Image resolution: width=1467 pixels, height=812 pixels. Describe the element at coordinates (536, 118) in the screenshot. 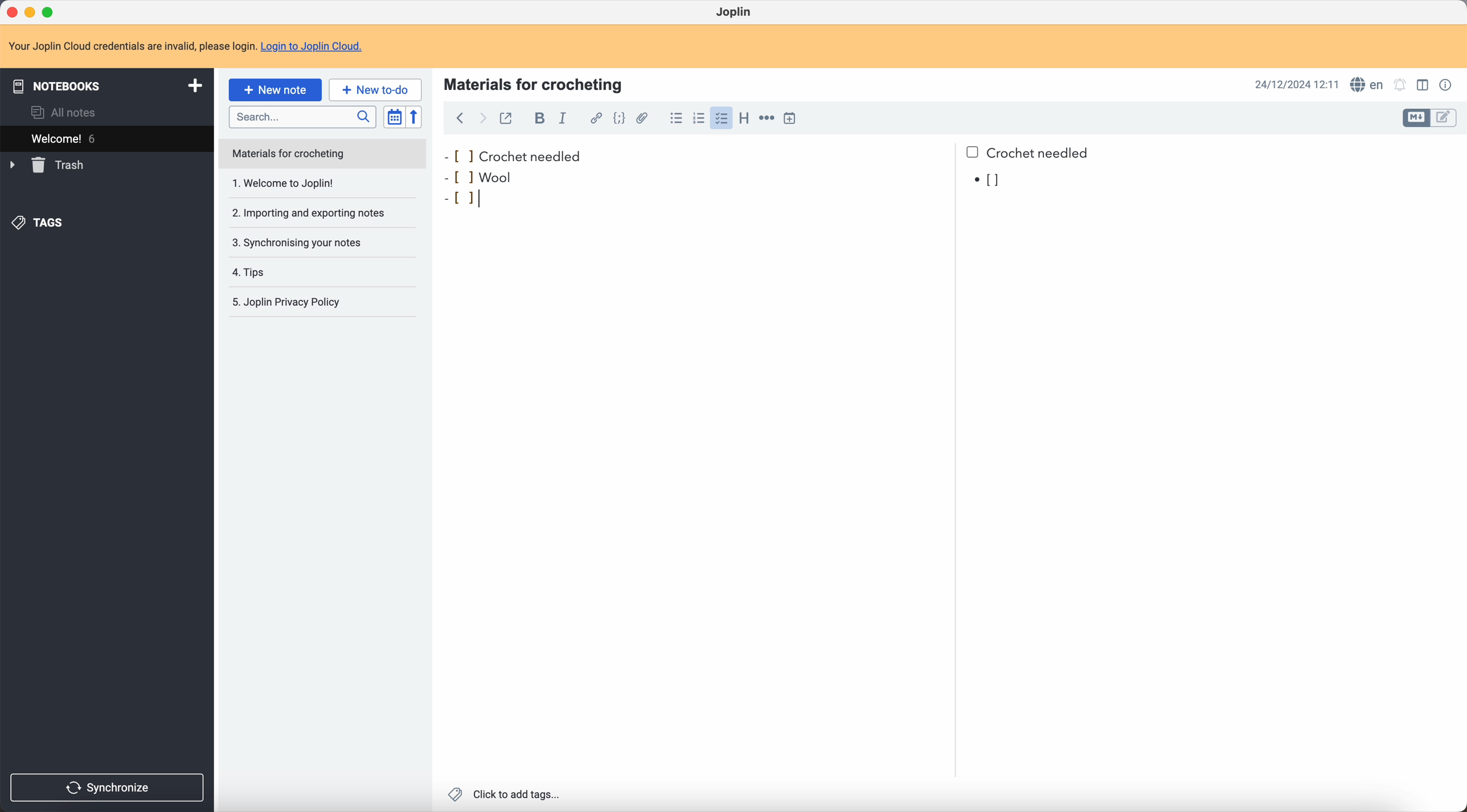

I see `bold` at that location.